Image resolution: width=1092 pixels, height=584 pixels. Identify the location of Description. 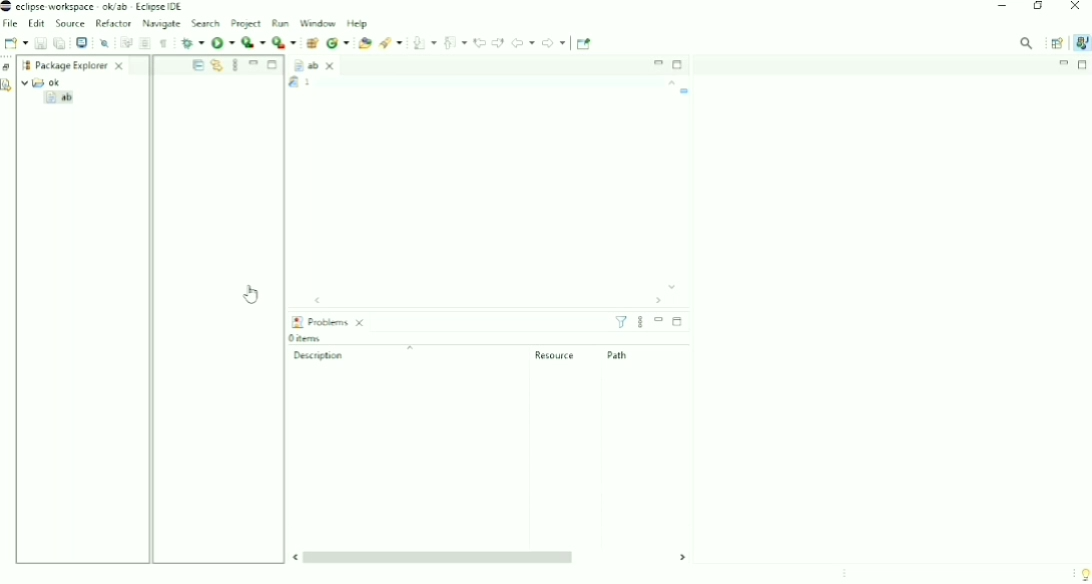
(375, 354).